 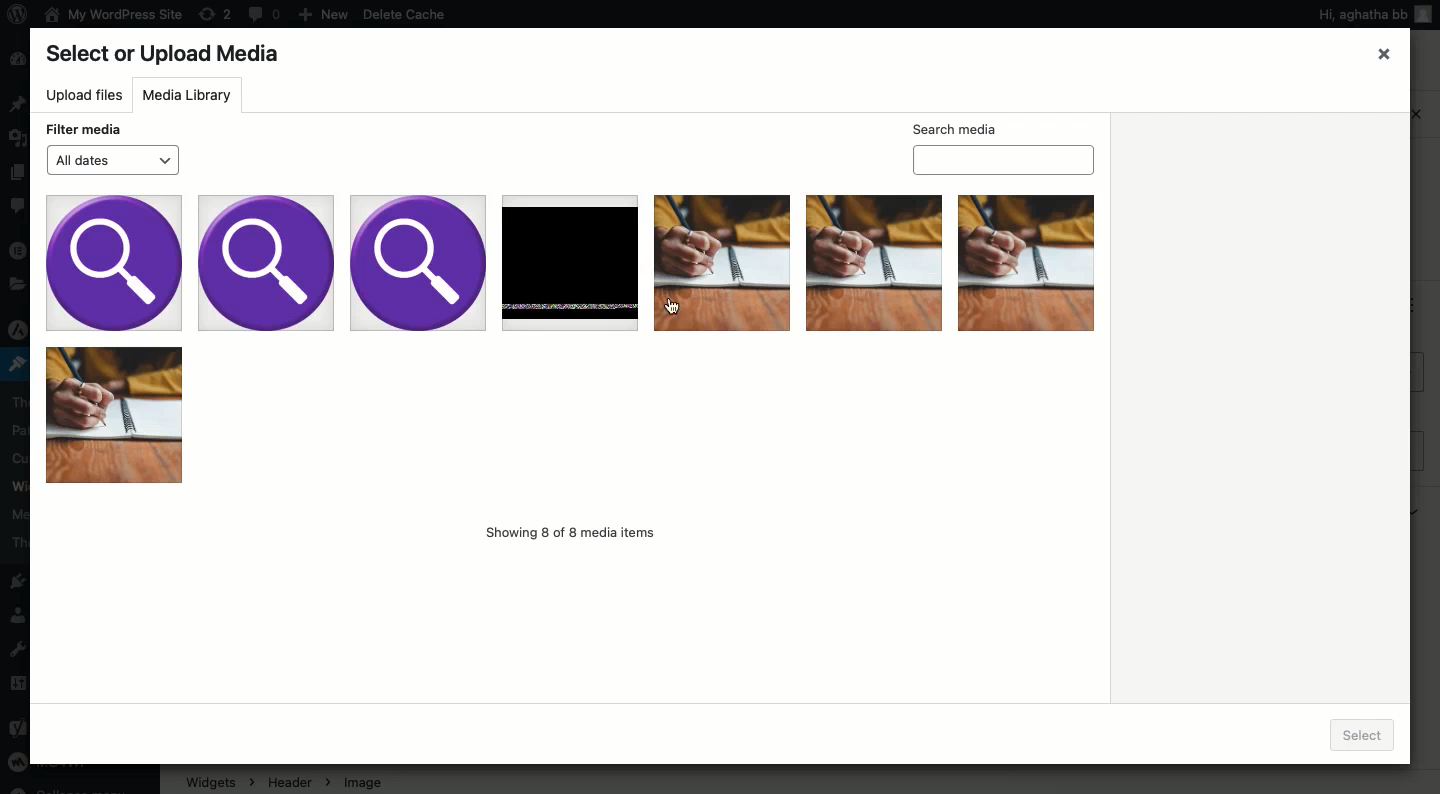 I want to click on Select or upload media, so click(x=169, y=55).